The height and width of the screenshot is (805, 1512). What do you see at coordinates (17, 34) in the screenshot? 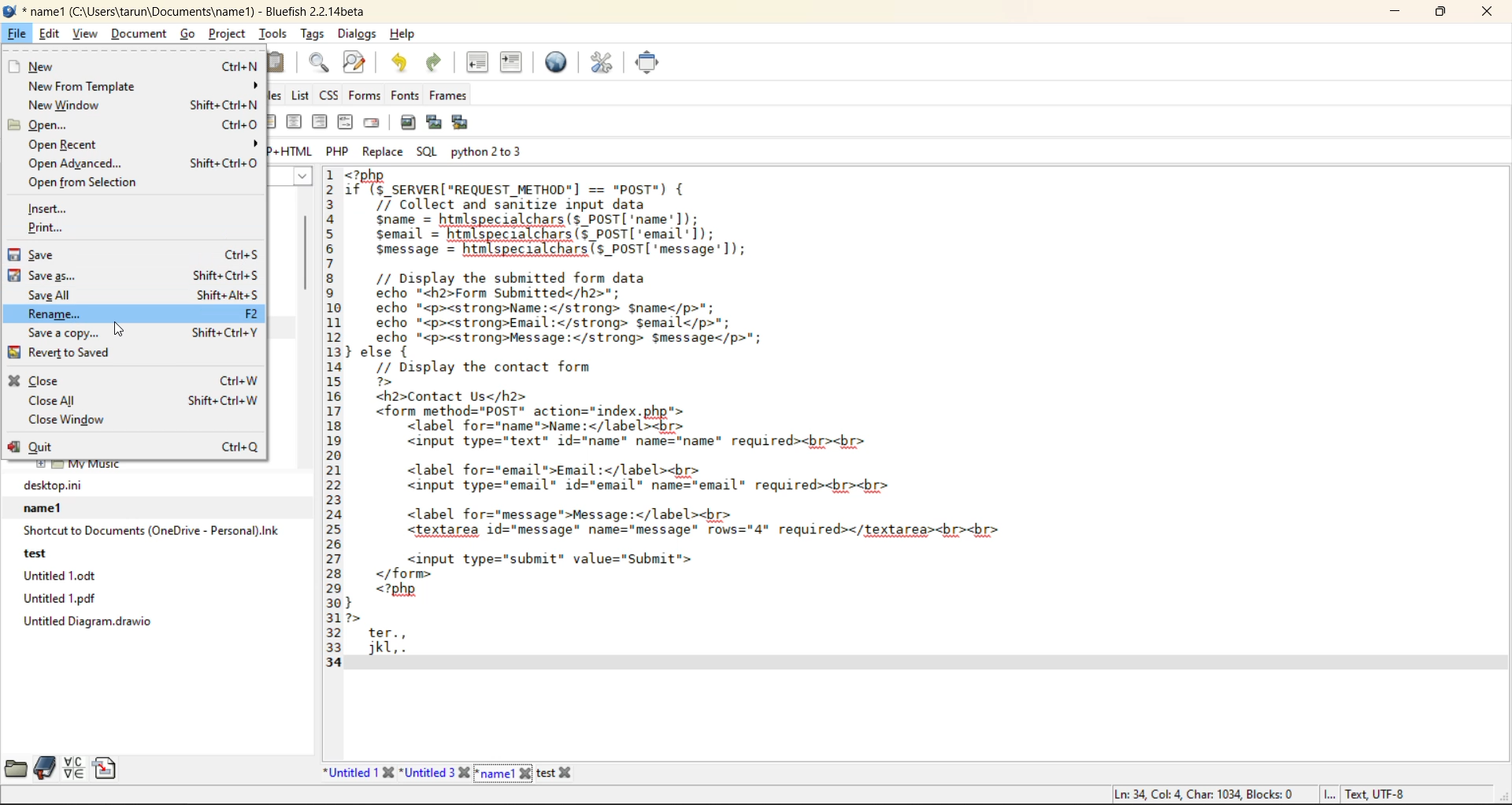
I see `file` at bounding box center [17, 34].